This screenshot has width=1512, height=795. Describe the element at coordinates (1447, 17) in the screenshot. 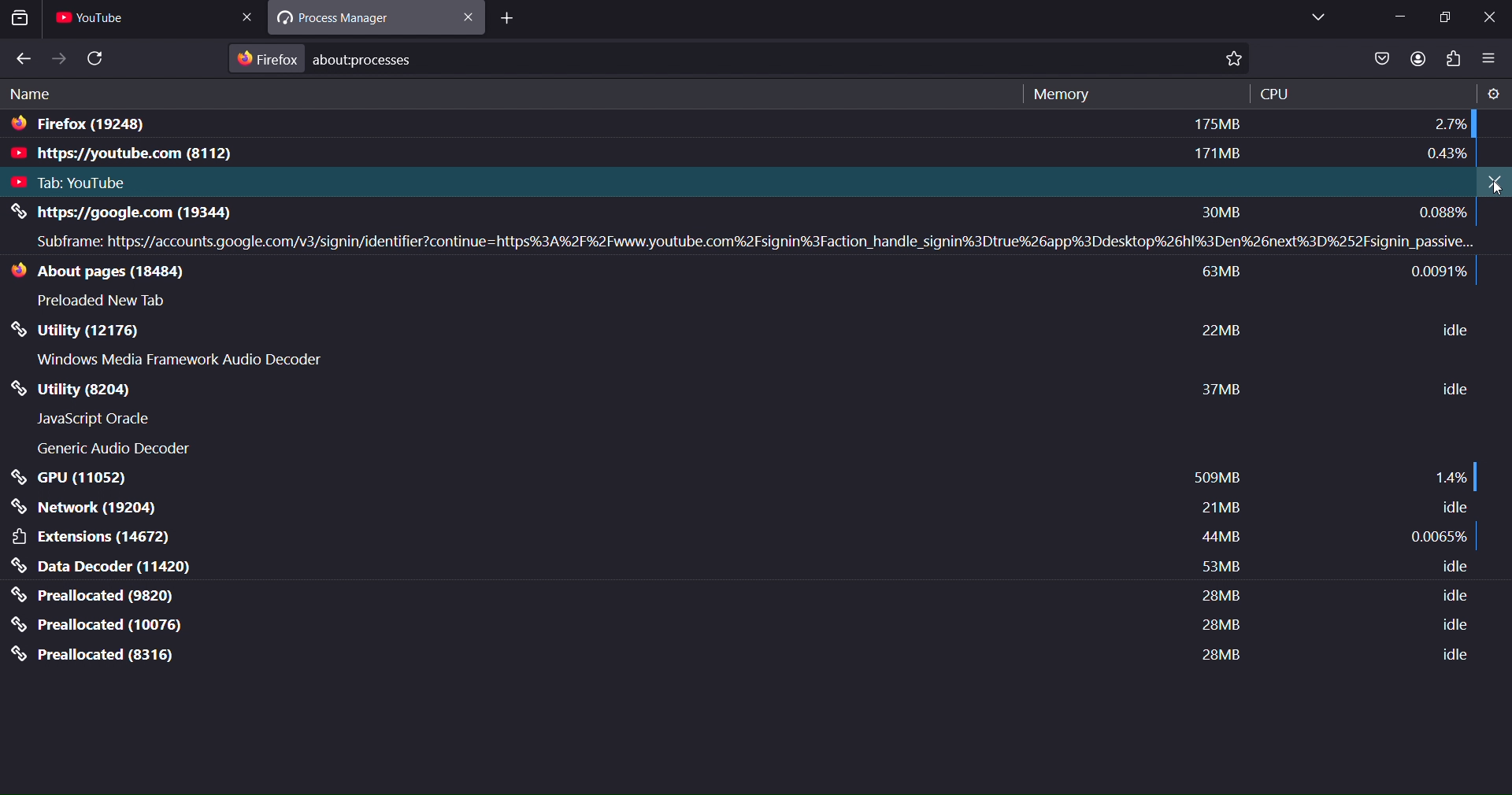

I see `restore down` at that location.